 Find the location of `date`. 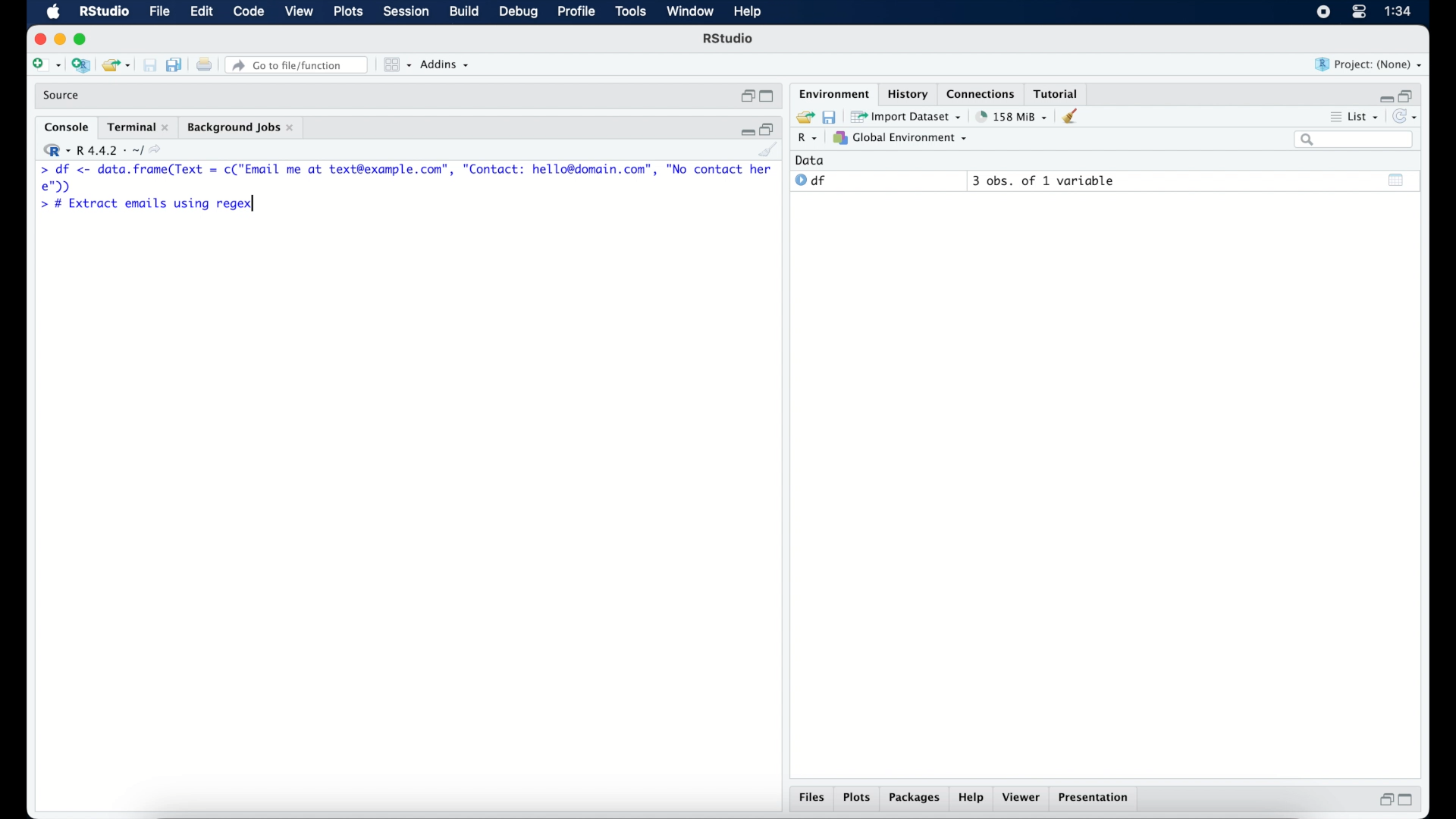

date is located at coordinates (811, 160).